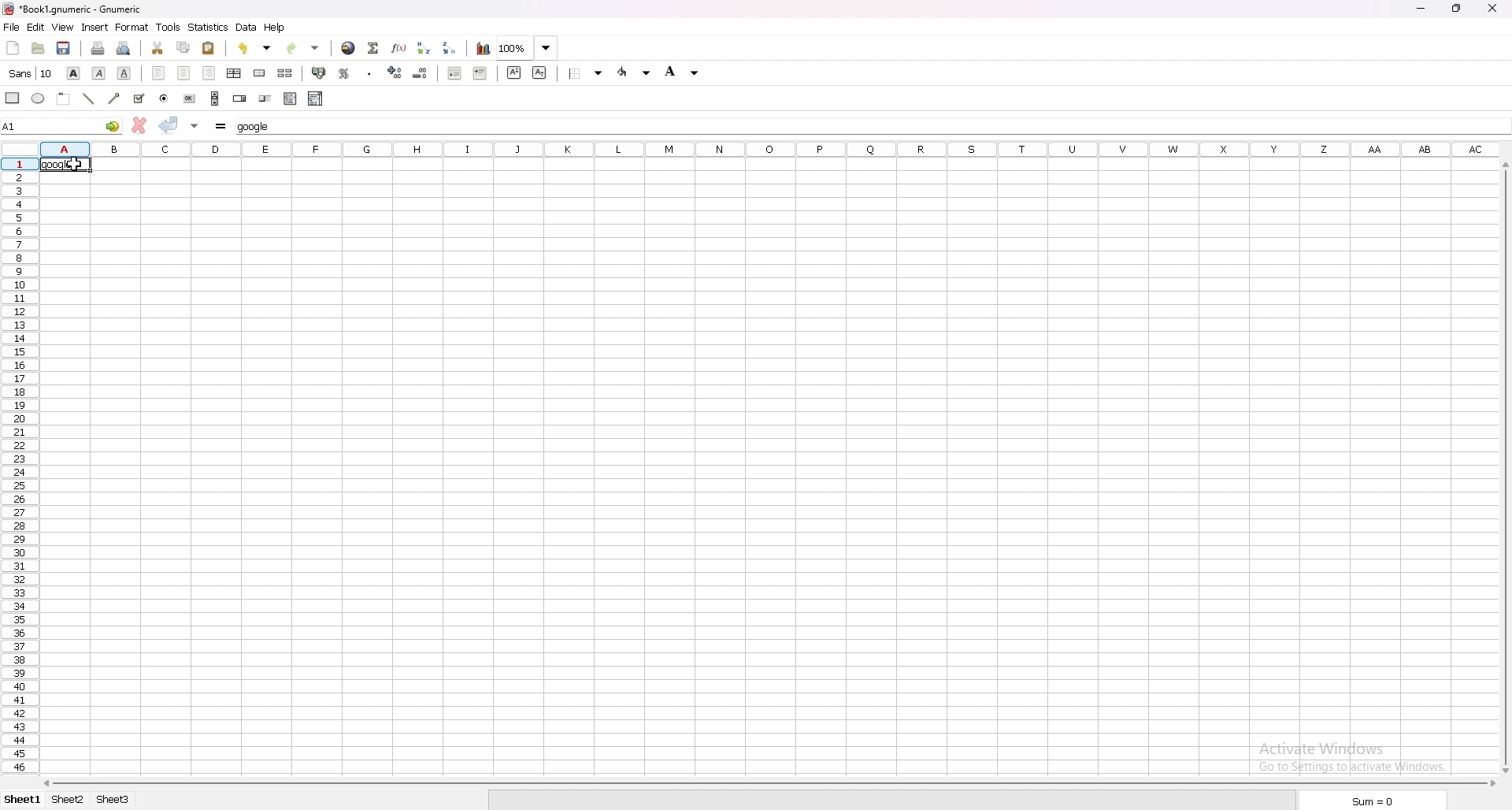 Image resolution: width=1512 pixels, height=810 pixels. Describe the element at coordinates (158, 72) in the screenshot. I see `left align` at that location.